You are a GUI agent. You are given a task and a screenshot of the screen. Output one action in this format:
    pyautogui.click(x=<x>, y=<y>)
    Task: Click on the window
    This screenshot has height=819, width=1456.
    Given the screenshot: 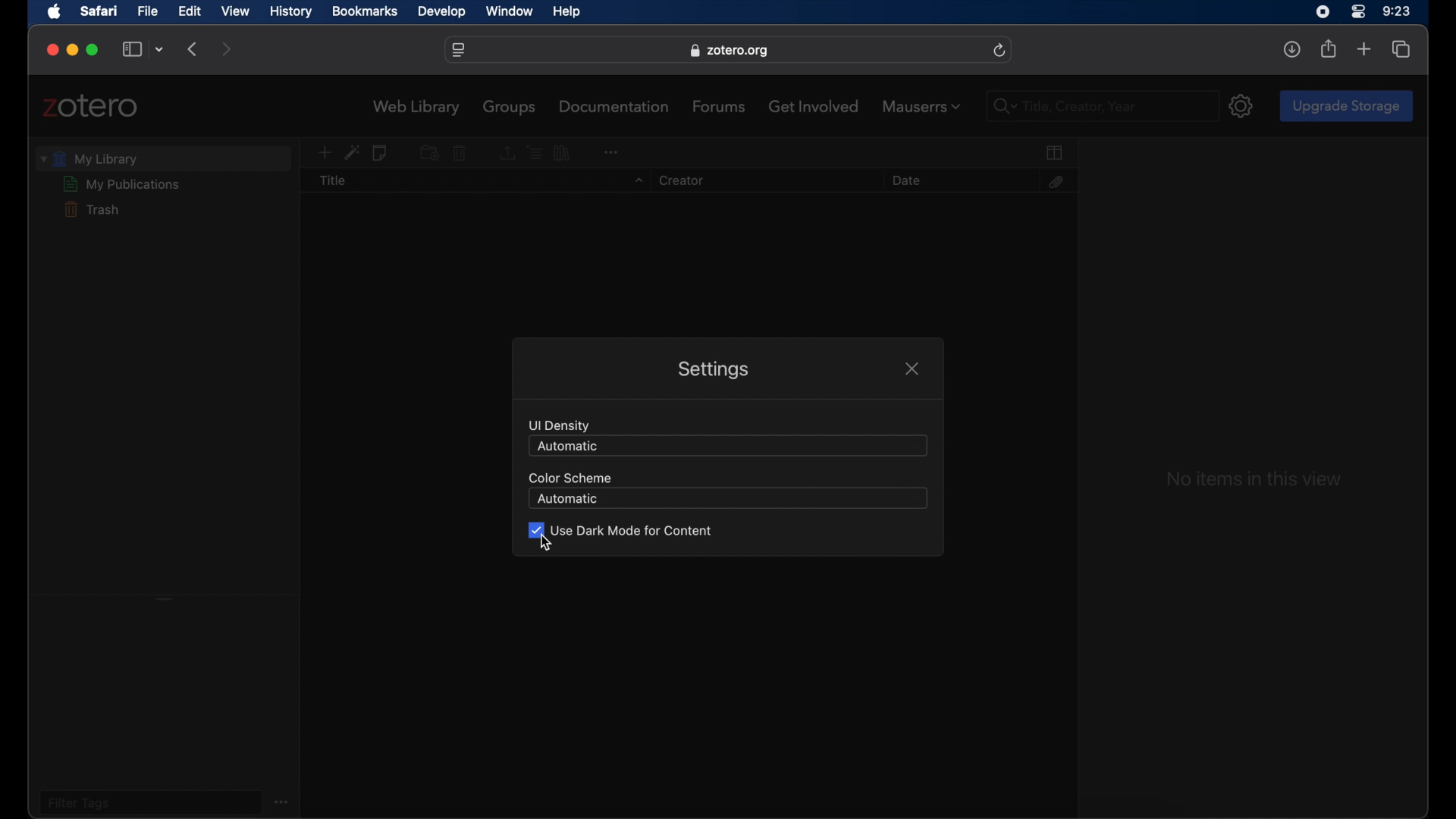 What is the action you would take?
    pyautogui.click(x=511, y=12)
    